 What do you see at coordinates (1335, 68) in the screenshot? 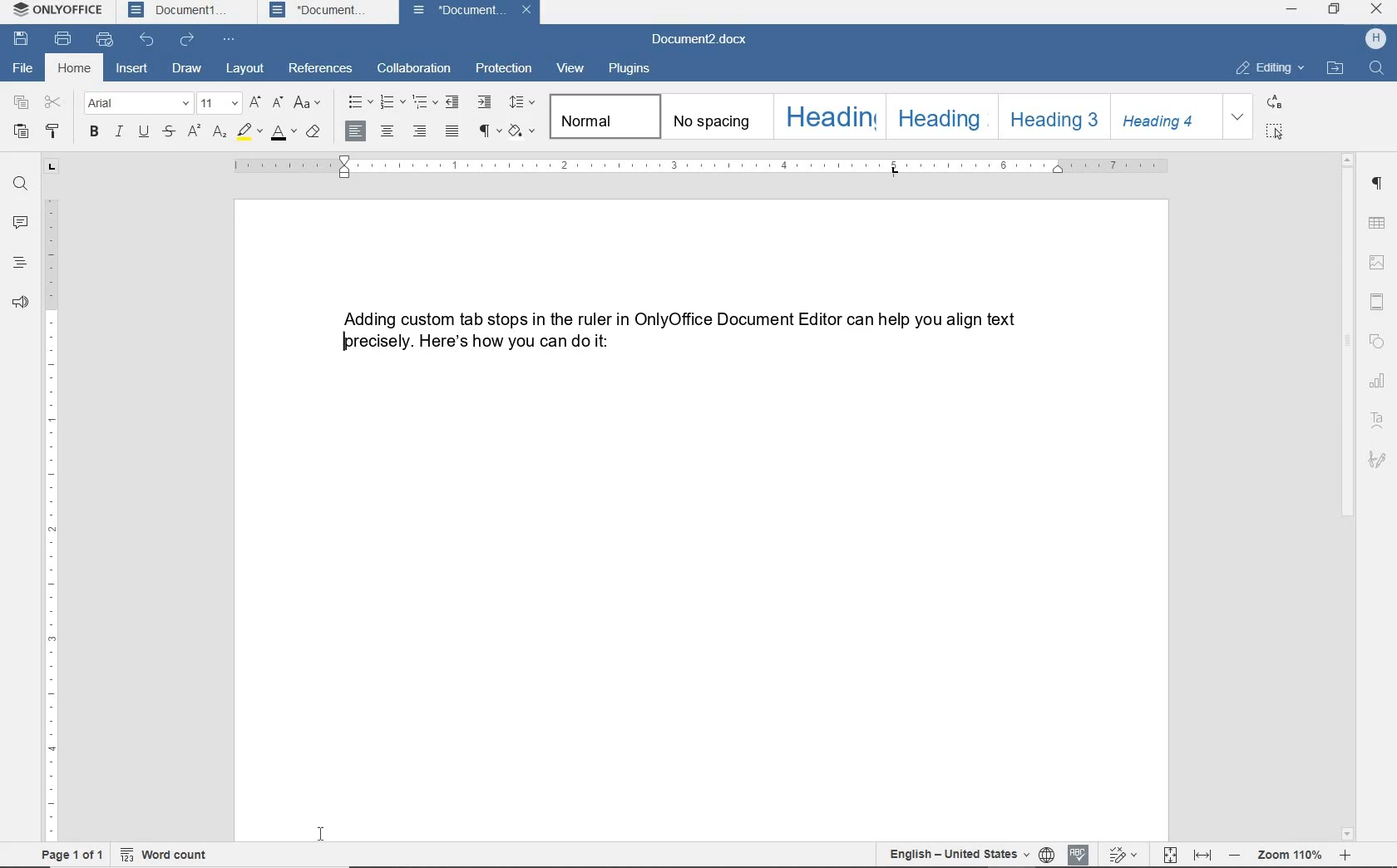
I see `open file location` at bounding box center [1335, 68].